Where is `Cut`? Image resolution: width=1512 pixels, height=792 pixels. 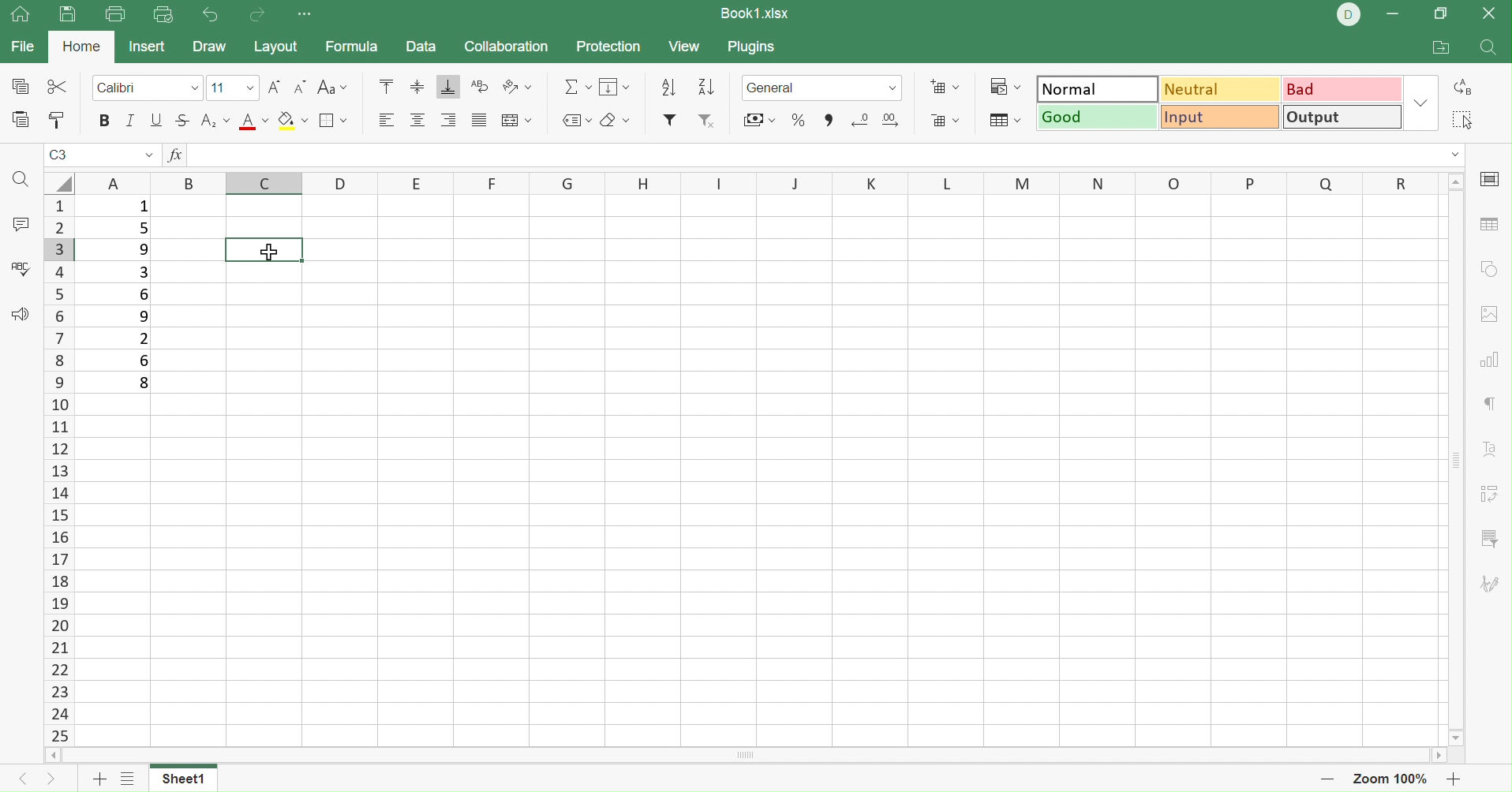
Cut is located at coordinates (57, 87).